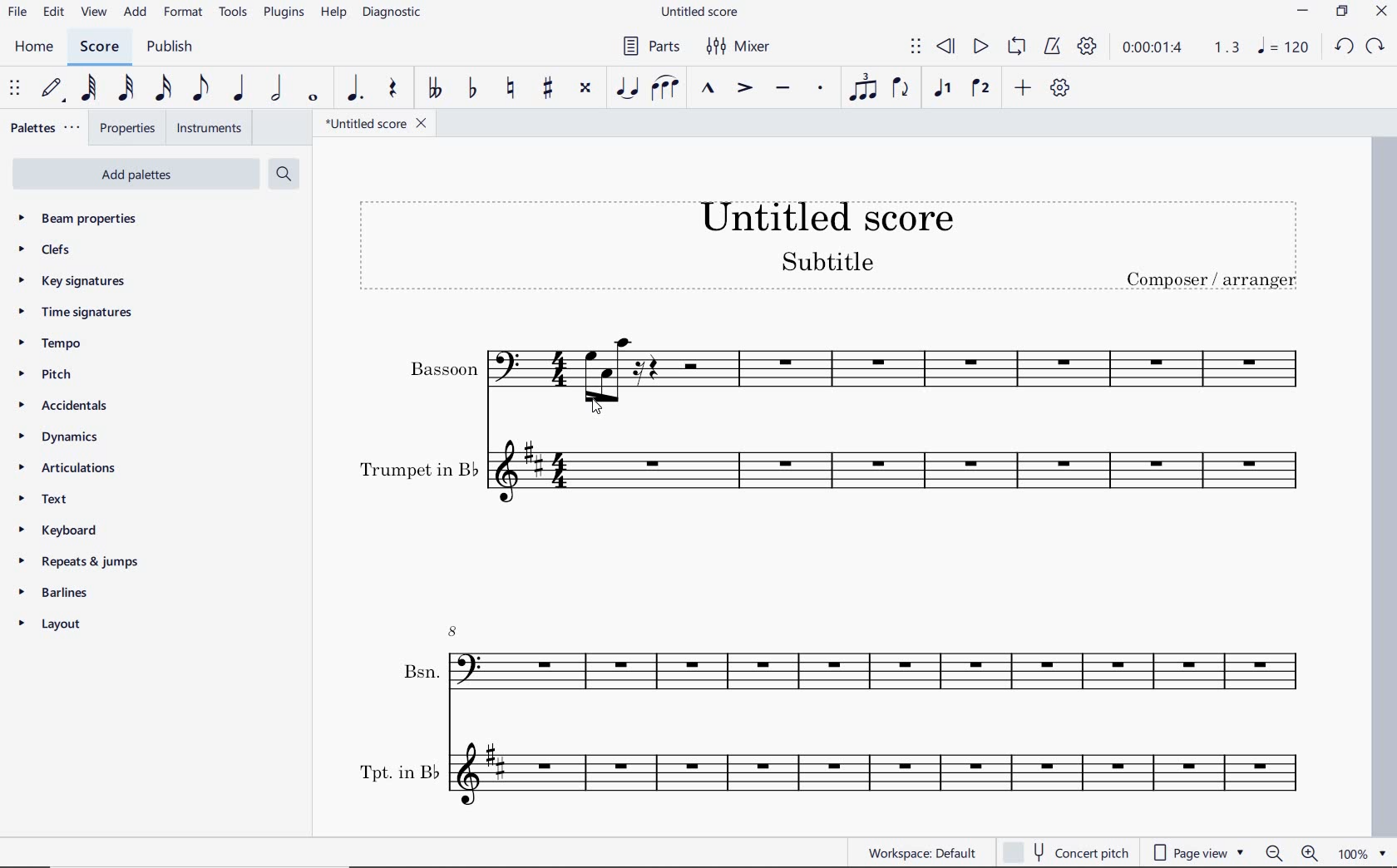  Describe the element at coordinates (185, 13) in the screenshot. I see `format` at that location.